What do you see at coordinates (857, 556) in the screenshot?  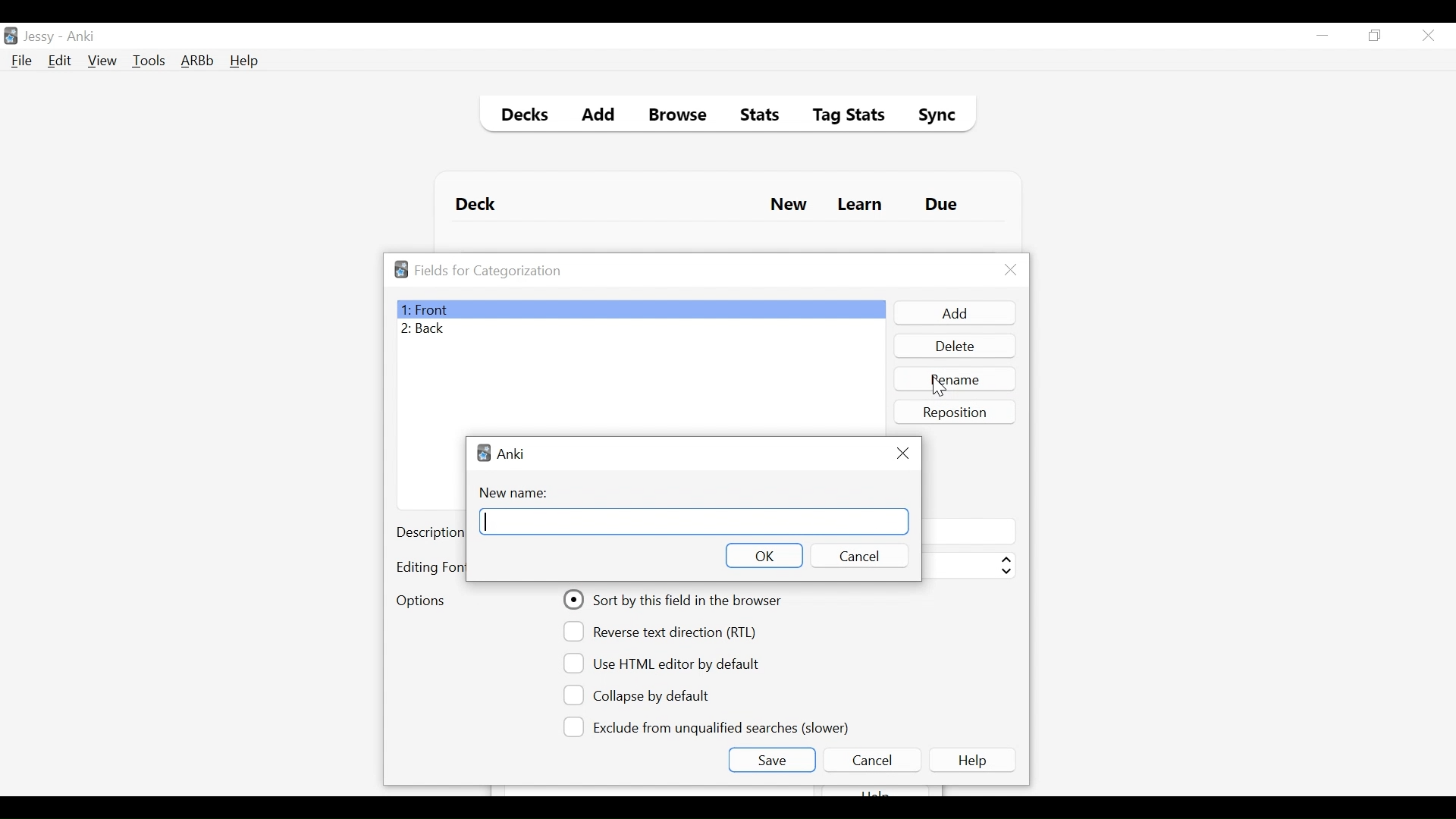 I see `Cancel` at bounding box center [857, 556].